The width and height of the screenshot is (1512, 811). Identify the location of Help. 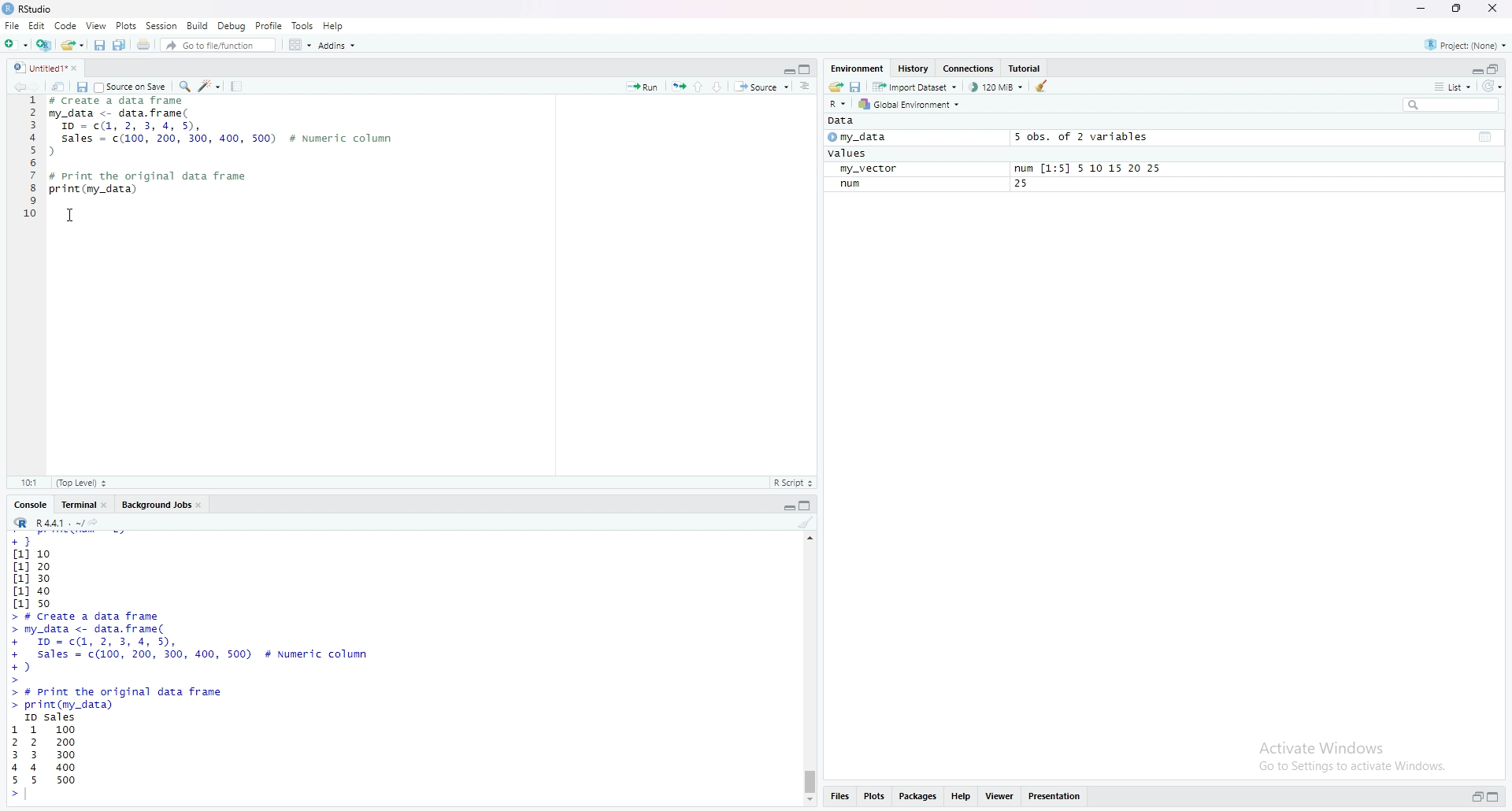
(338, 24).